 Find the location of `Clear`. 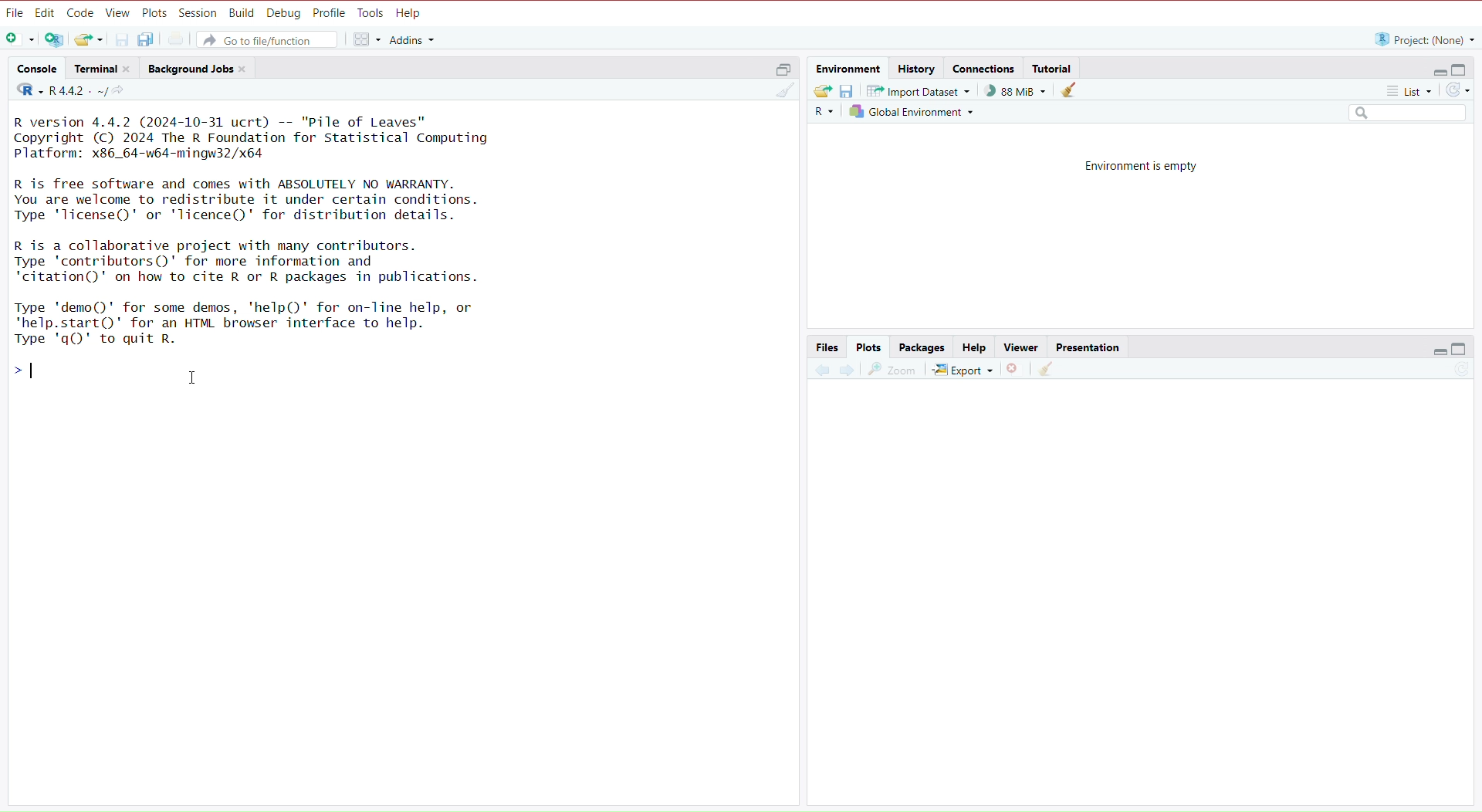

Clear is located at coordinates (1046, 369).